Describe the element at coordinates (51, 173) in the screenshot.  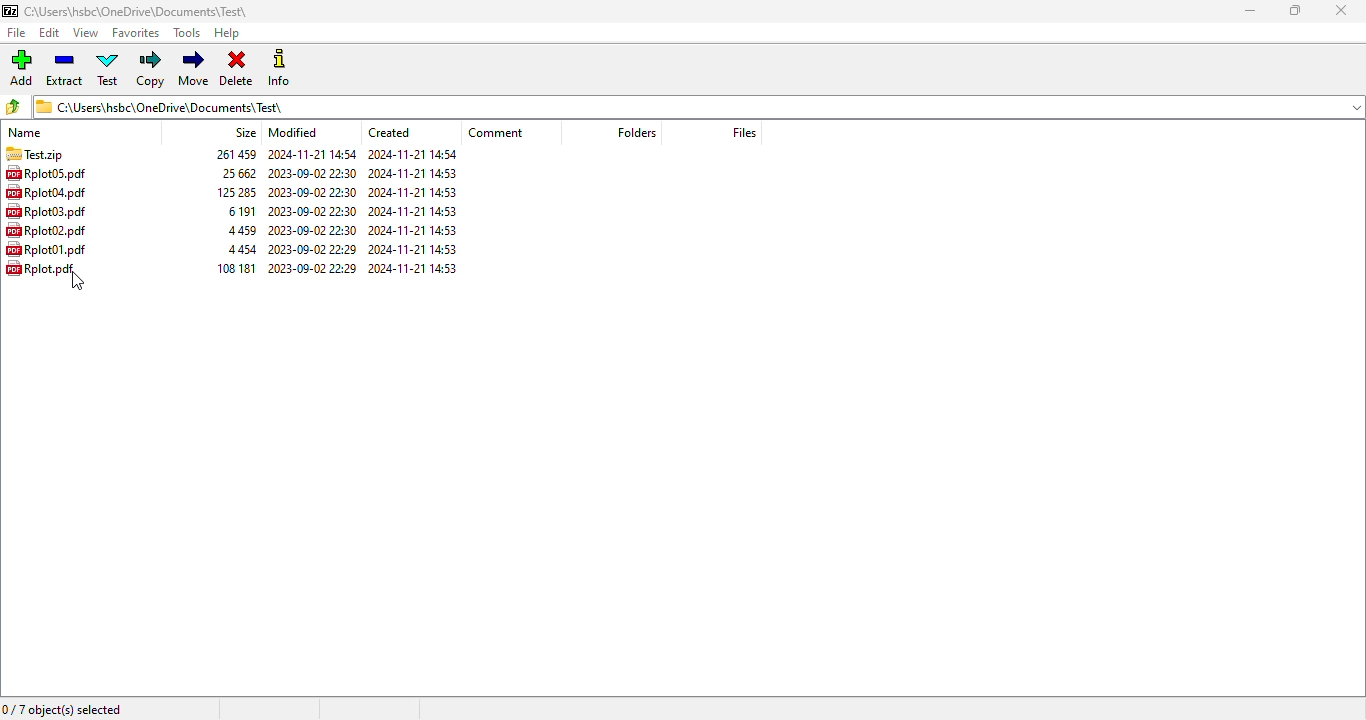
I see ` RplotdS.pdf` at that location.